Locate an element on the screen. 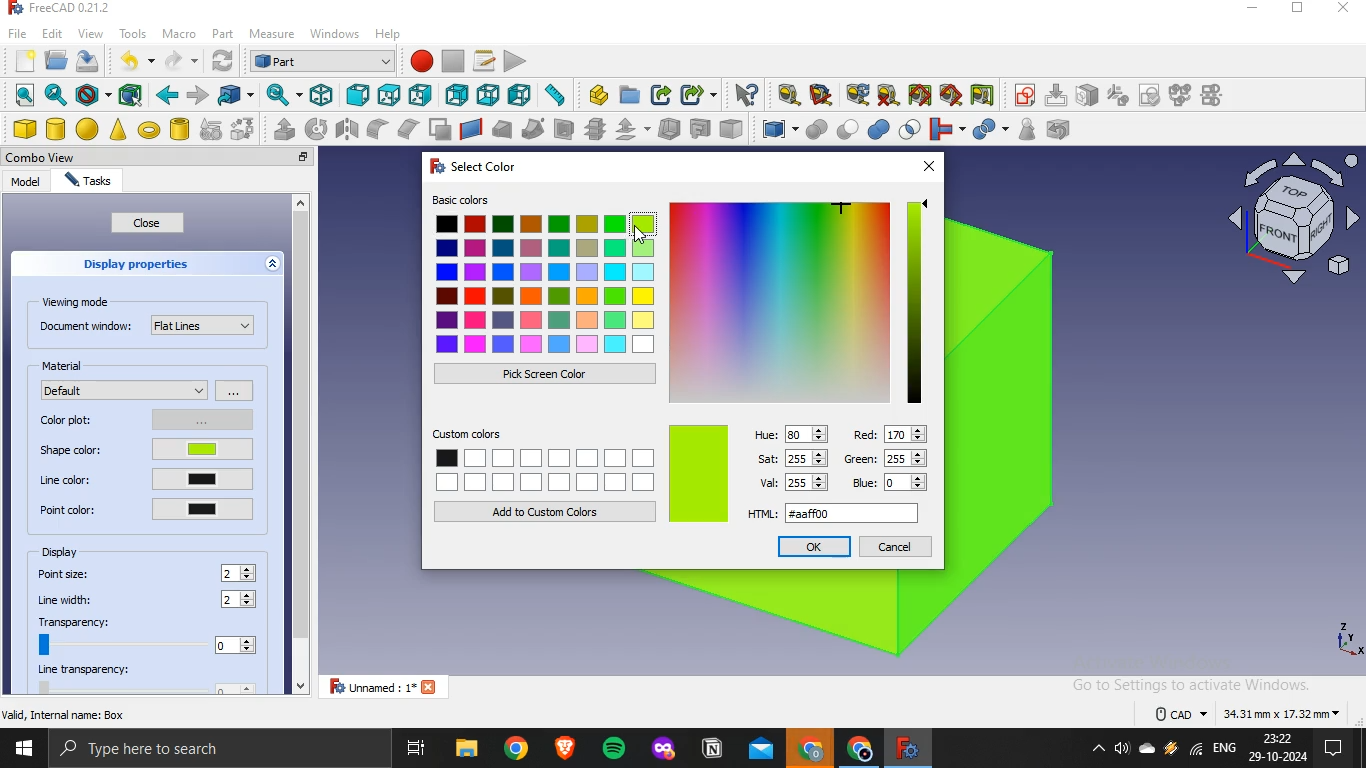 Image resolution: width=1366 pixels, height=768 pixels. val is located at coordinates (792, 481).